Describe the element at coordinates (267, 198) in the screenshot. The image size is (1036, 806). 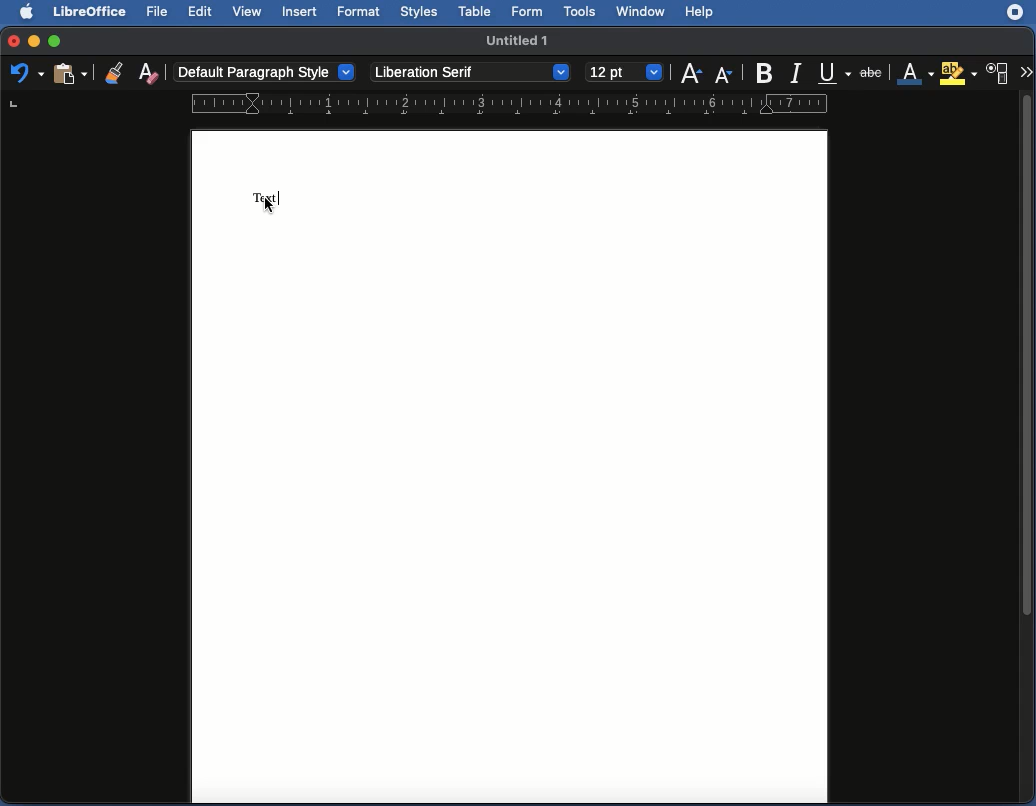
I see `Text` at that location.